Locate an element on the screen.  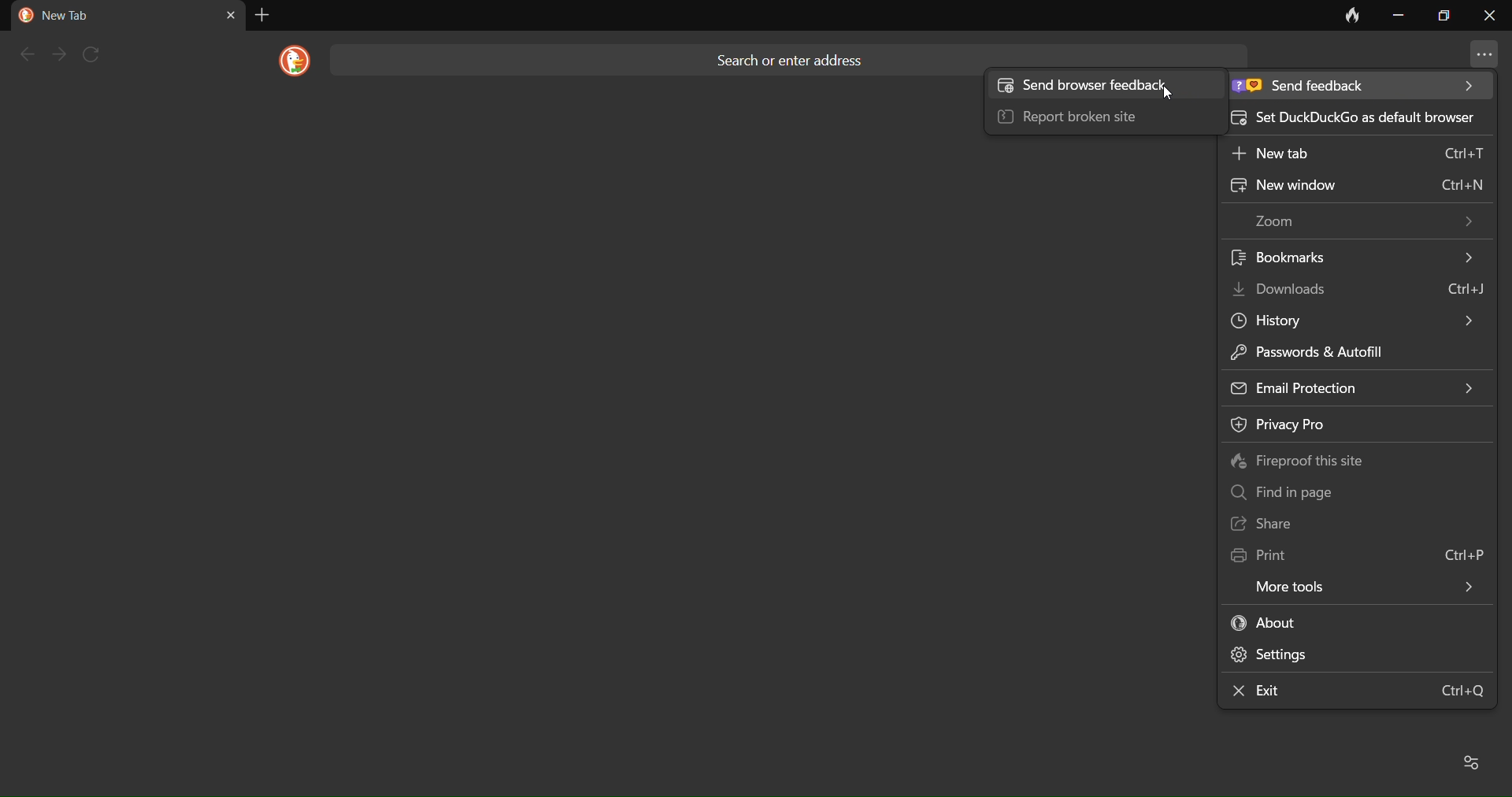
maximize is located at coordinates (1441, 16).